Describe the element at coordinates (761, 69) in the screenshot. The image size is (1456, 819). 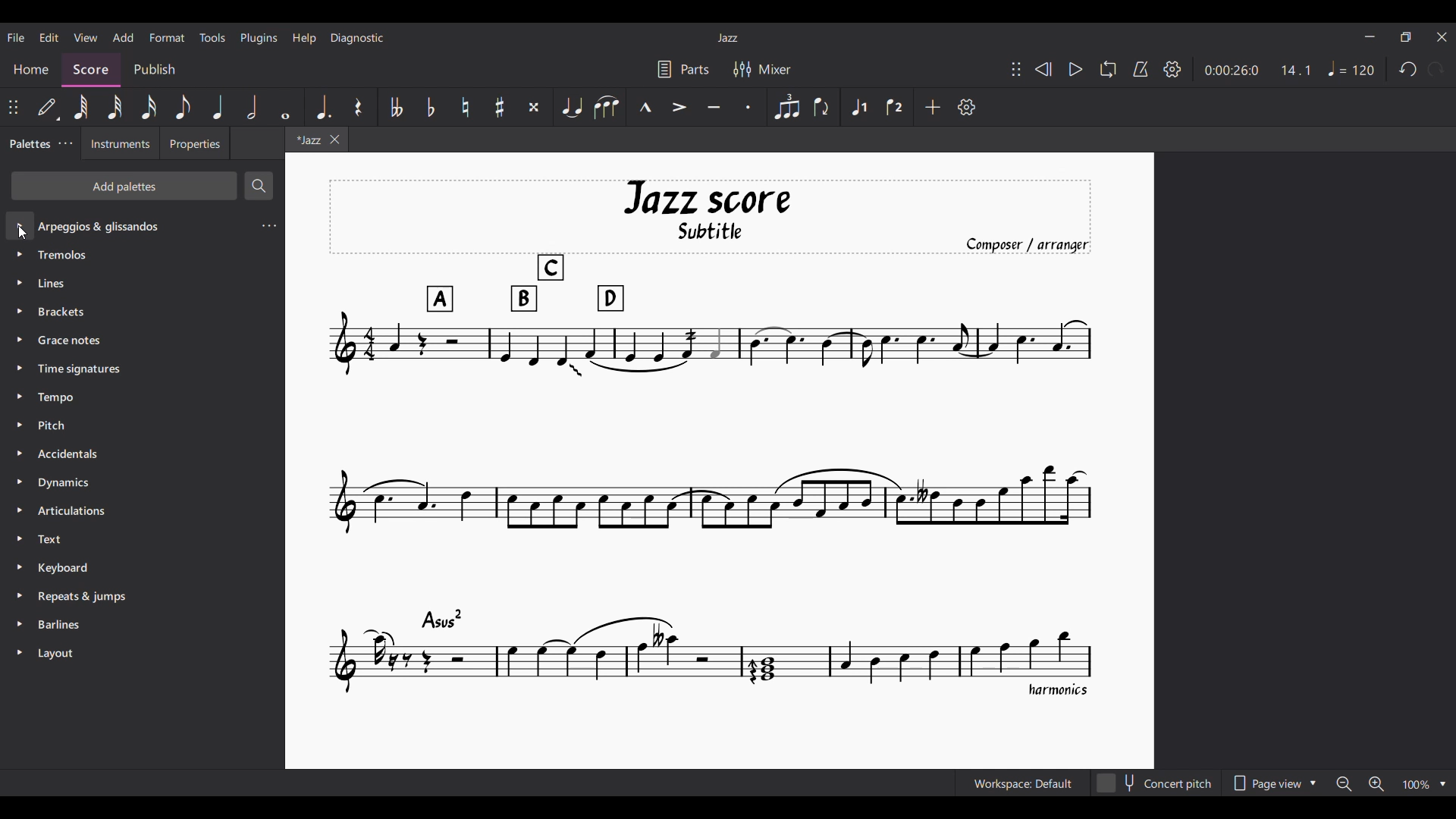
I see `Mixer settings` at that location.